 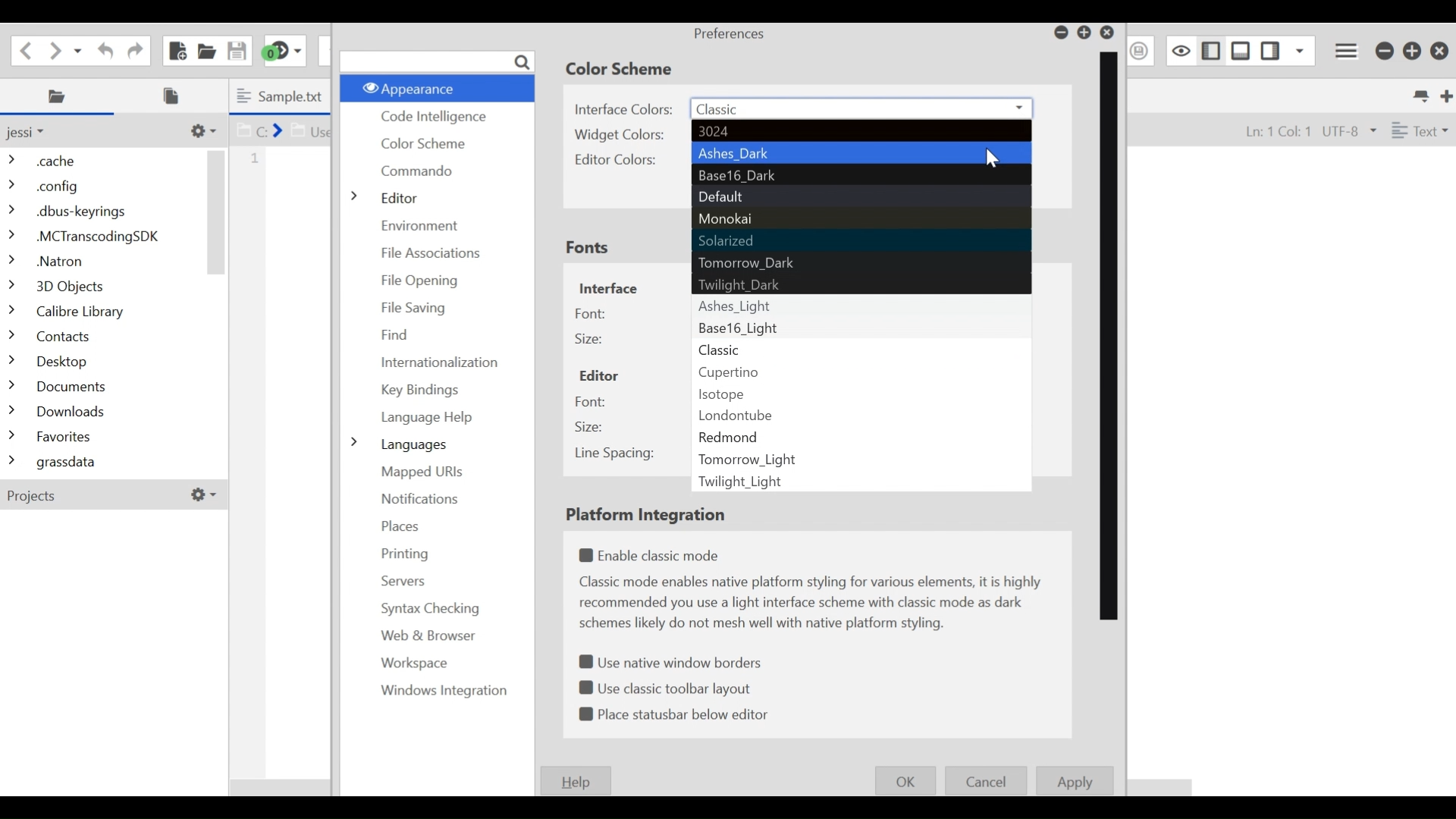 What do you see at coordinates (393, 196) in the screenshot?
I see `Editor` at bounding box center [393, 196].